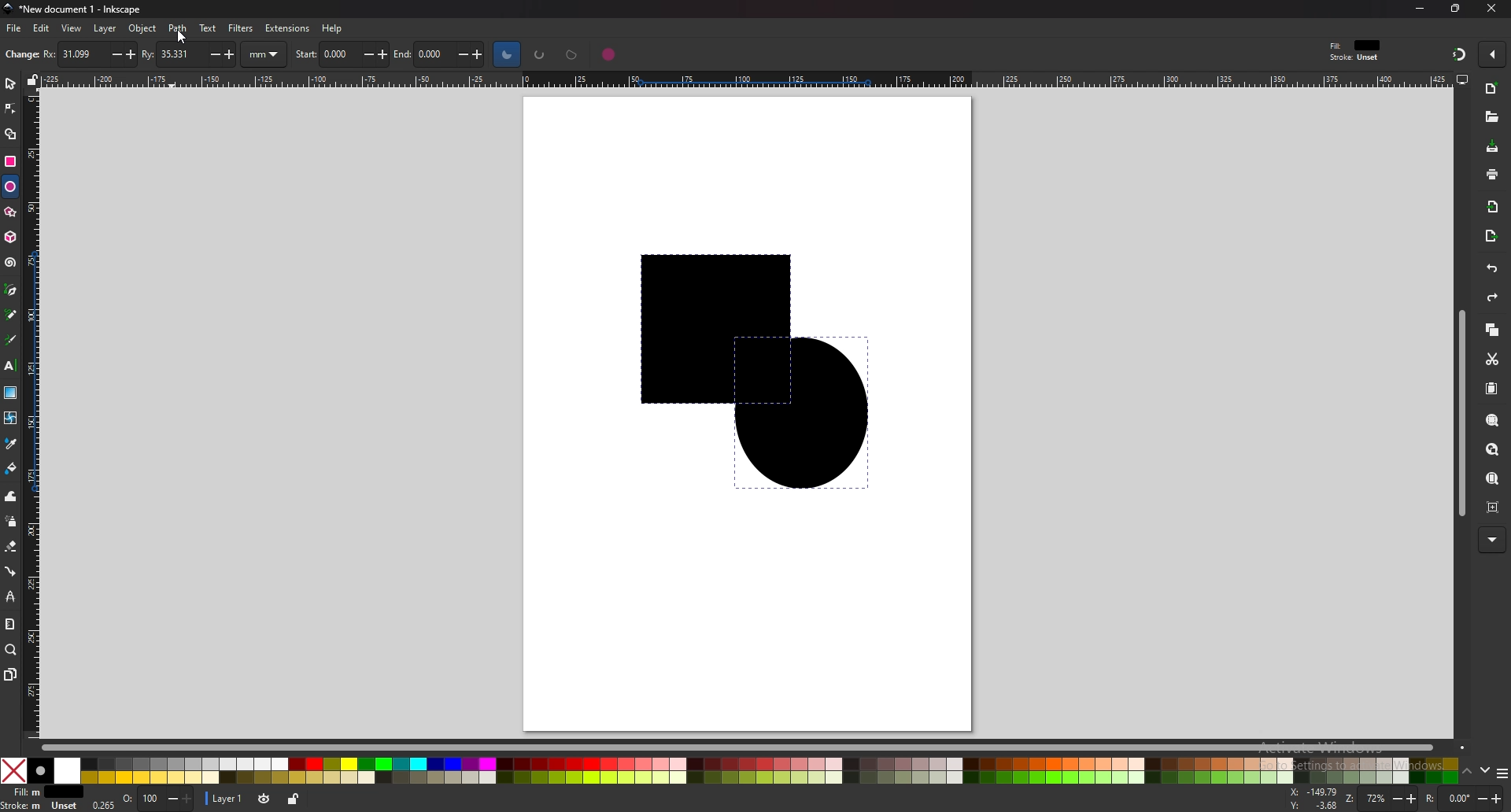  Describe the element at coordinates (1492, 205) in the screenshot. I see `import` at that location.